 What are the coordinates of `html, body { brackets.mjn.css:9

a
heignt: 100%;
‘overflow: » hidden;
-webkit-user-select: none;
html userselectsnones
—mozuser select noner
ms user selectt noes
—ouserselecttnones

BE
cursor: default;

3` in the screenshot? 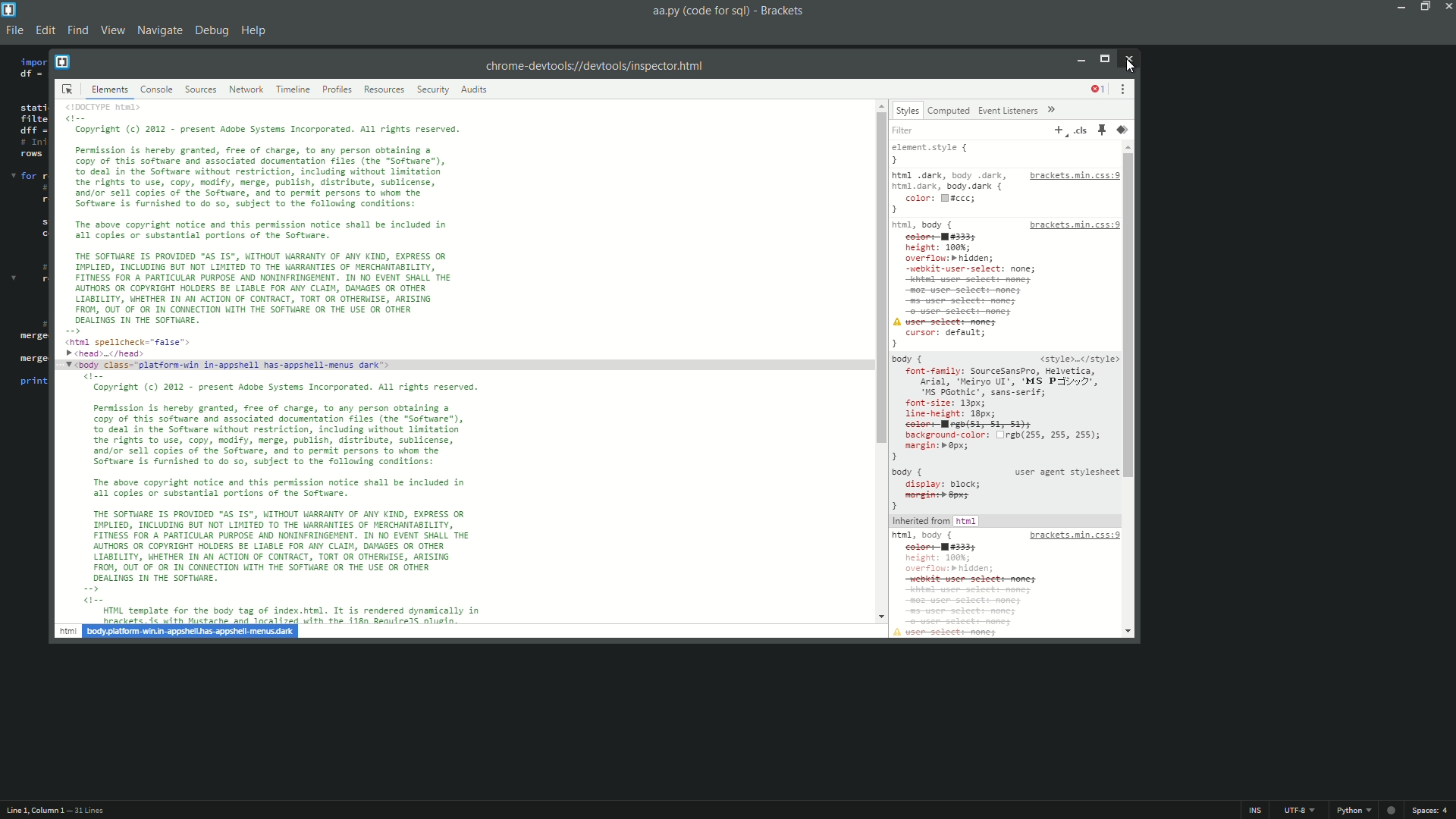 It's located at (1005, 284).